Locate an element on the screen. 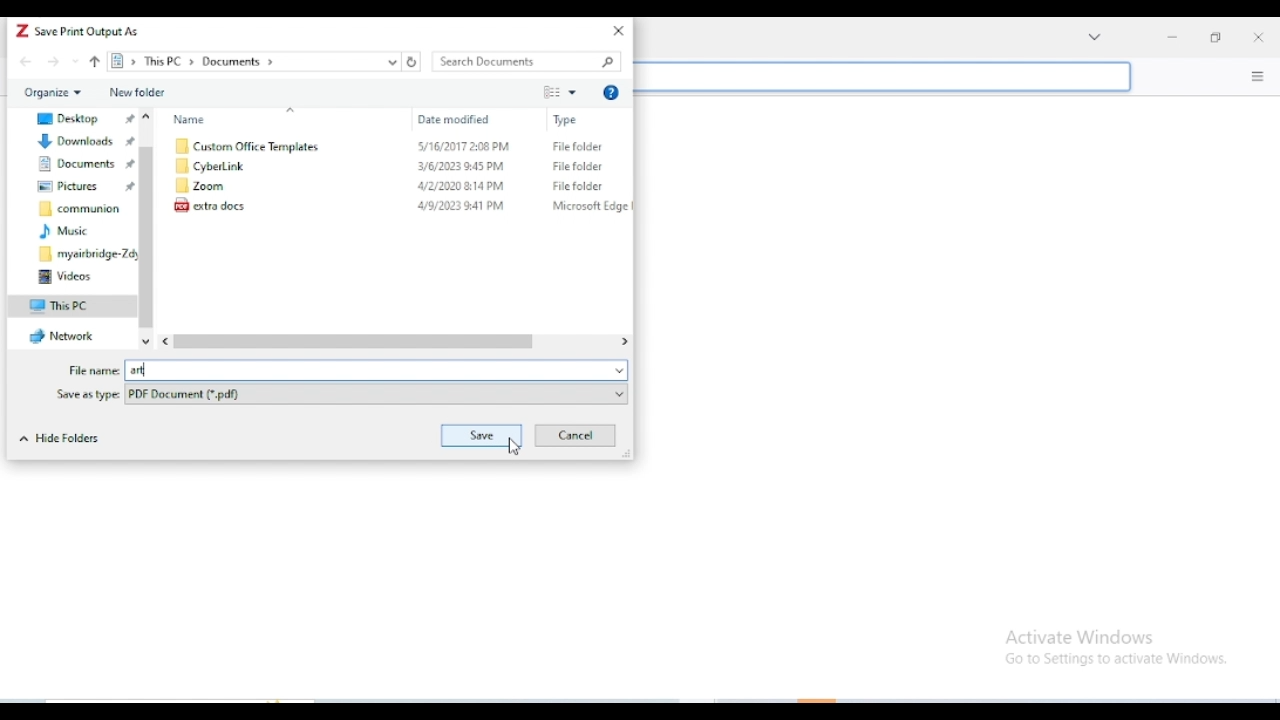 Image resolution: width=1280 pixels, height=720 pixels. up to "This PC" is located at coordinates (95, 62).